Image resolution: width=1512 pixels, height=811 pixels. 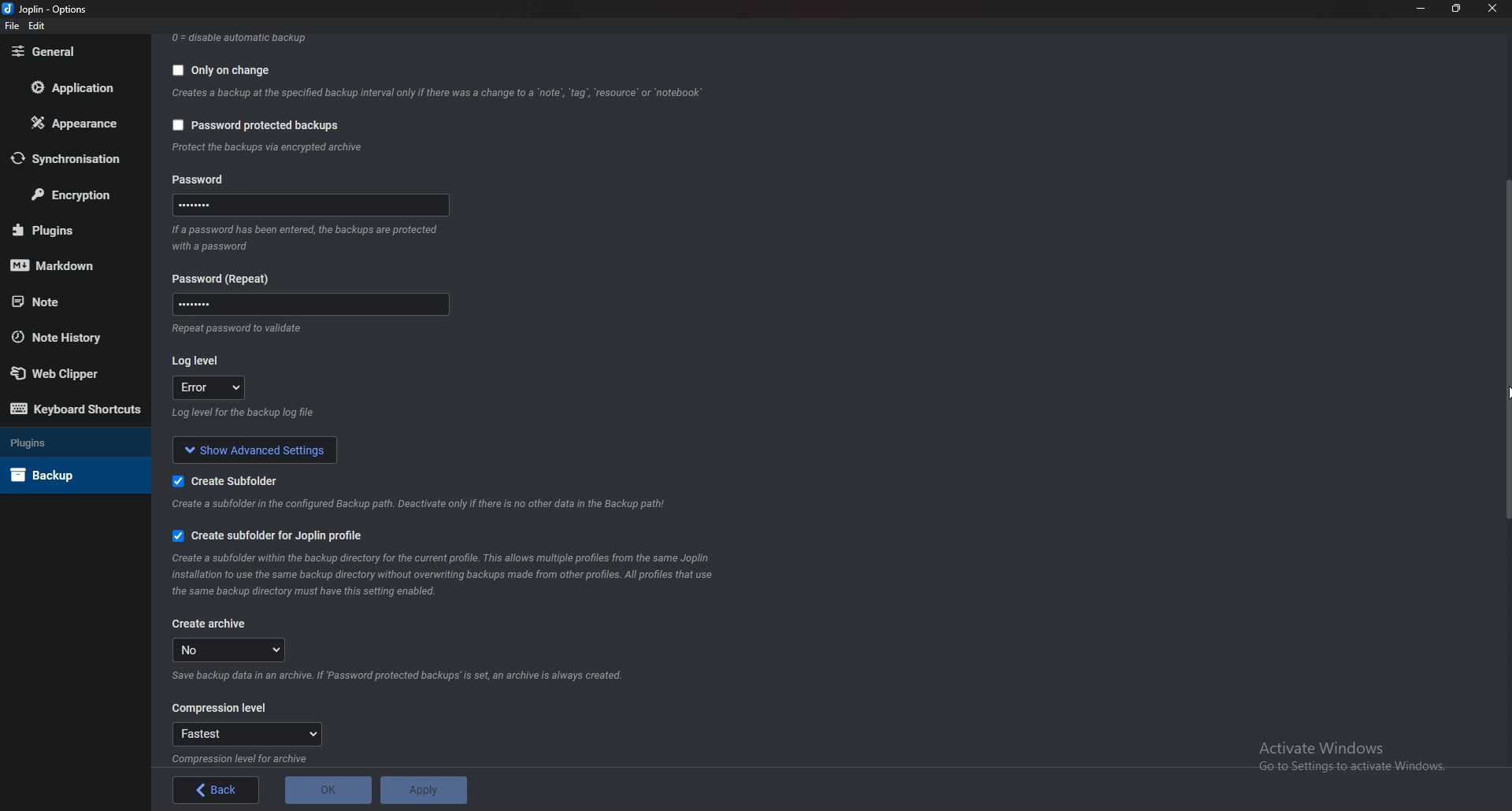 What do you see at coordinates (258, 125) in the screenshot?
I see `Password protected backups` at bounding box center [258, 125].